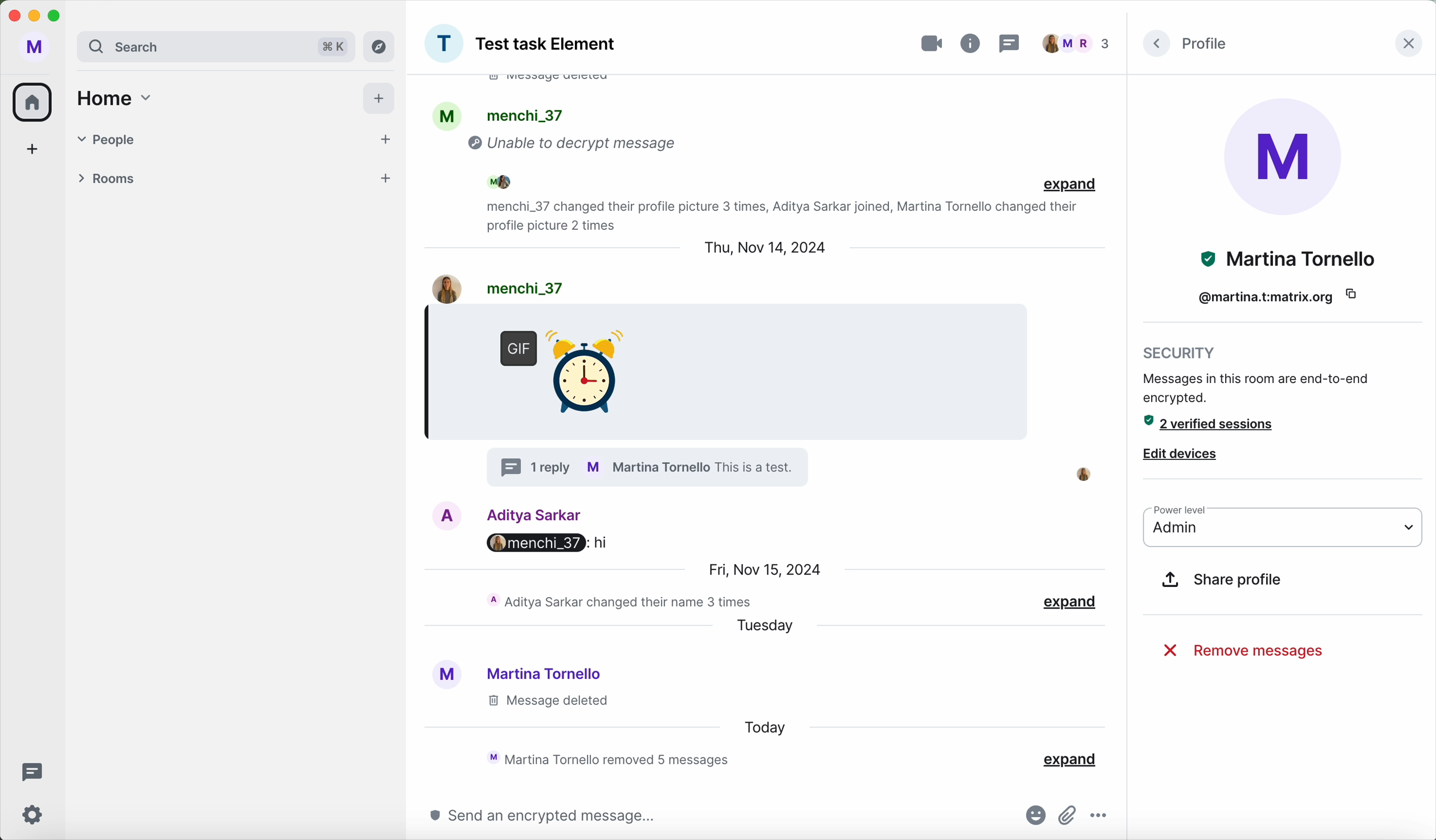  I want to click on add, so click(378, 99).